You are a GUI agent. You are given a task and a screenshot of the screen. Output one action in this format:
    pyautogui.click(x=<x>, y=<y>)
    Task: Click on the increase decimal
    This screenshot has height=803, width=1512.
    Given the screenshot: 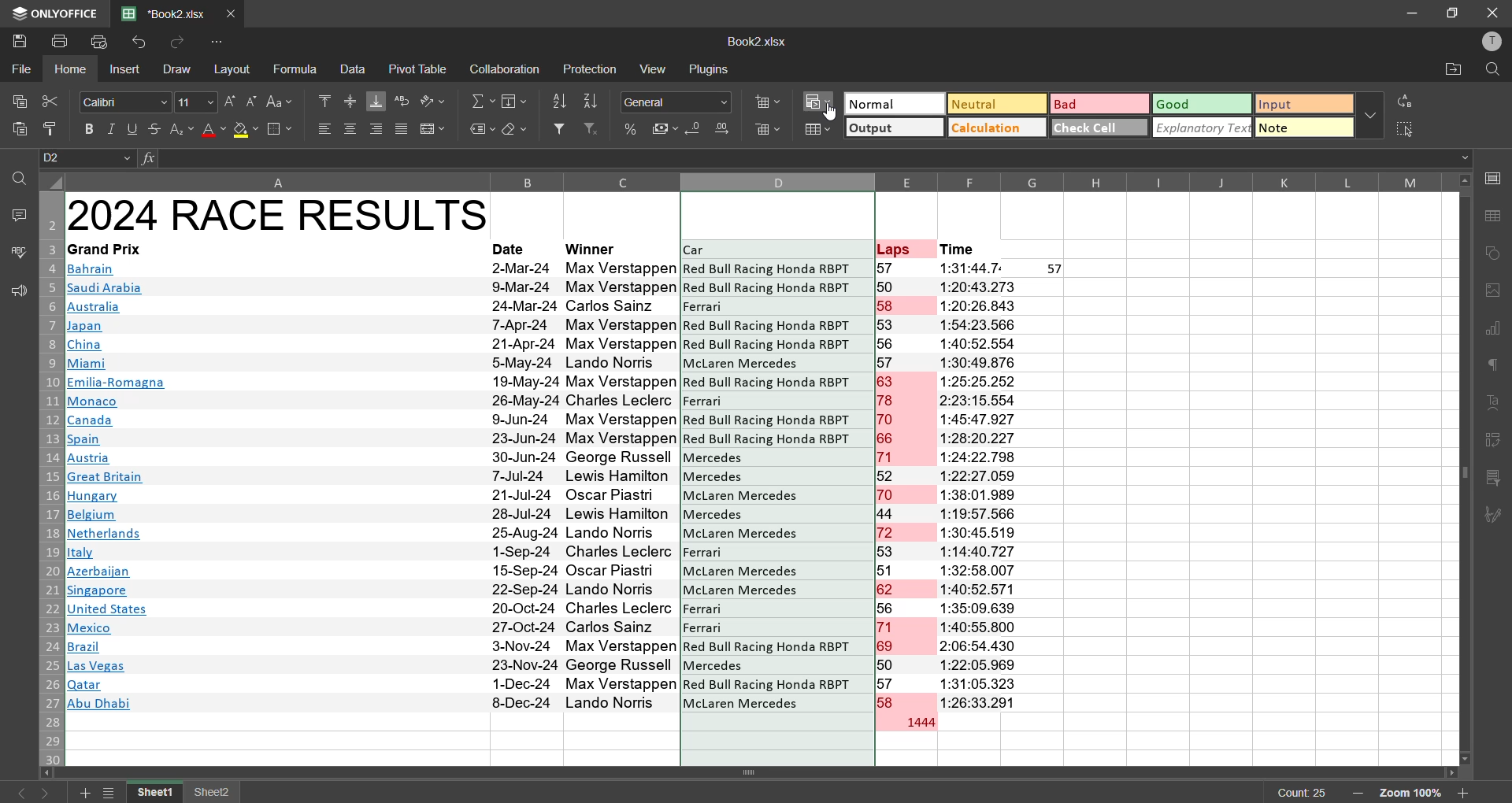 What is the action you would take?
    pyautogui.click(x=724, y=128)
    